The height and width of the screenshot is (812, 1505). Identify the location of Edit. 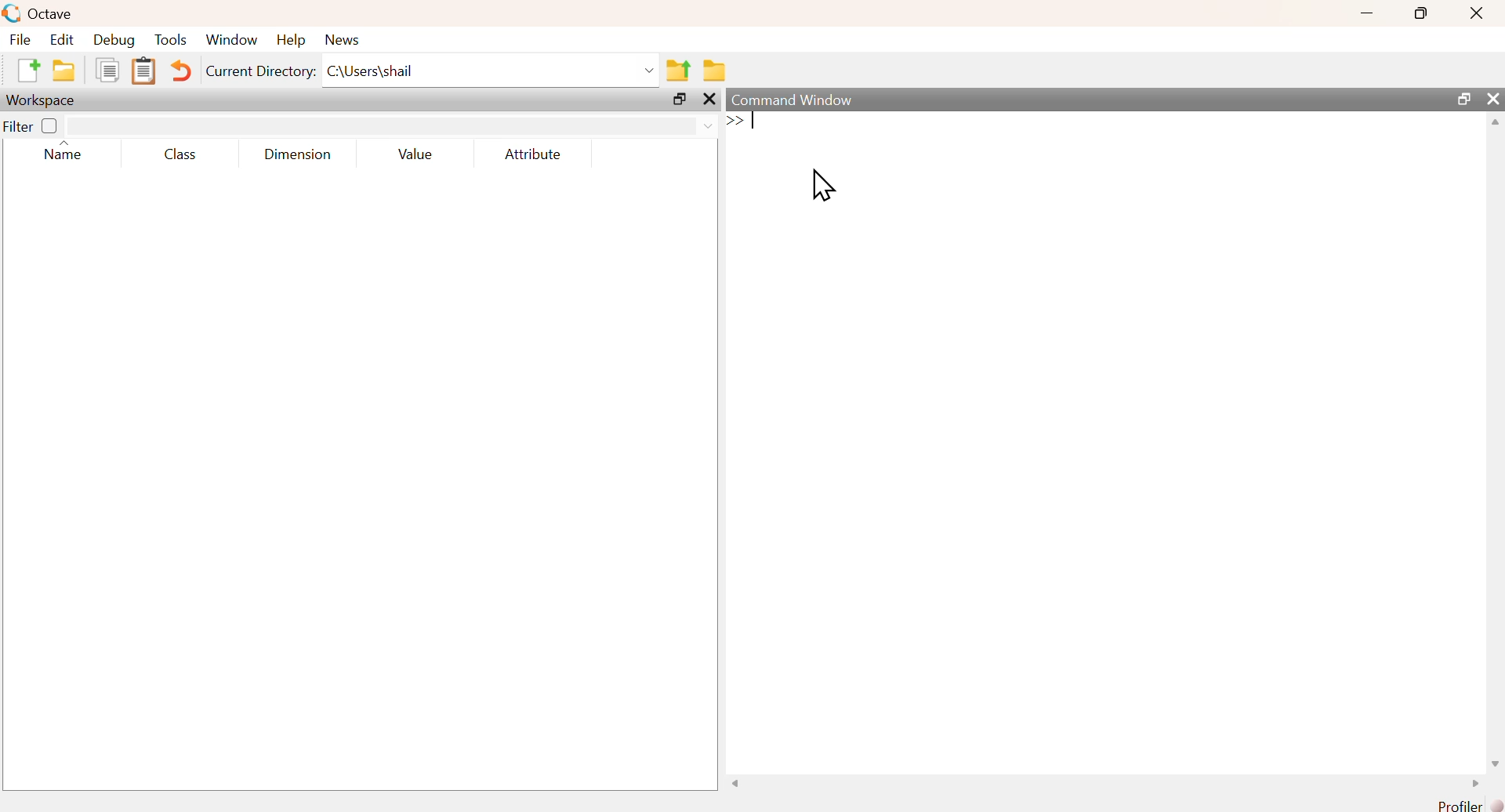
(61, 40).